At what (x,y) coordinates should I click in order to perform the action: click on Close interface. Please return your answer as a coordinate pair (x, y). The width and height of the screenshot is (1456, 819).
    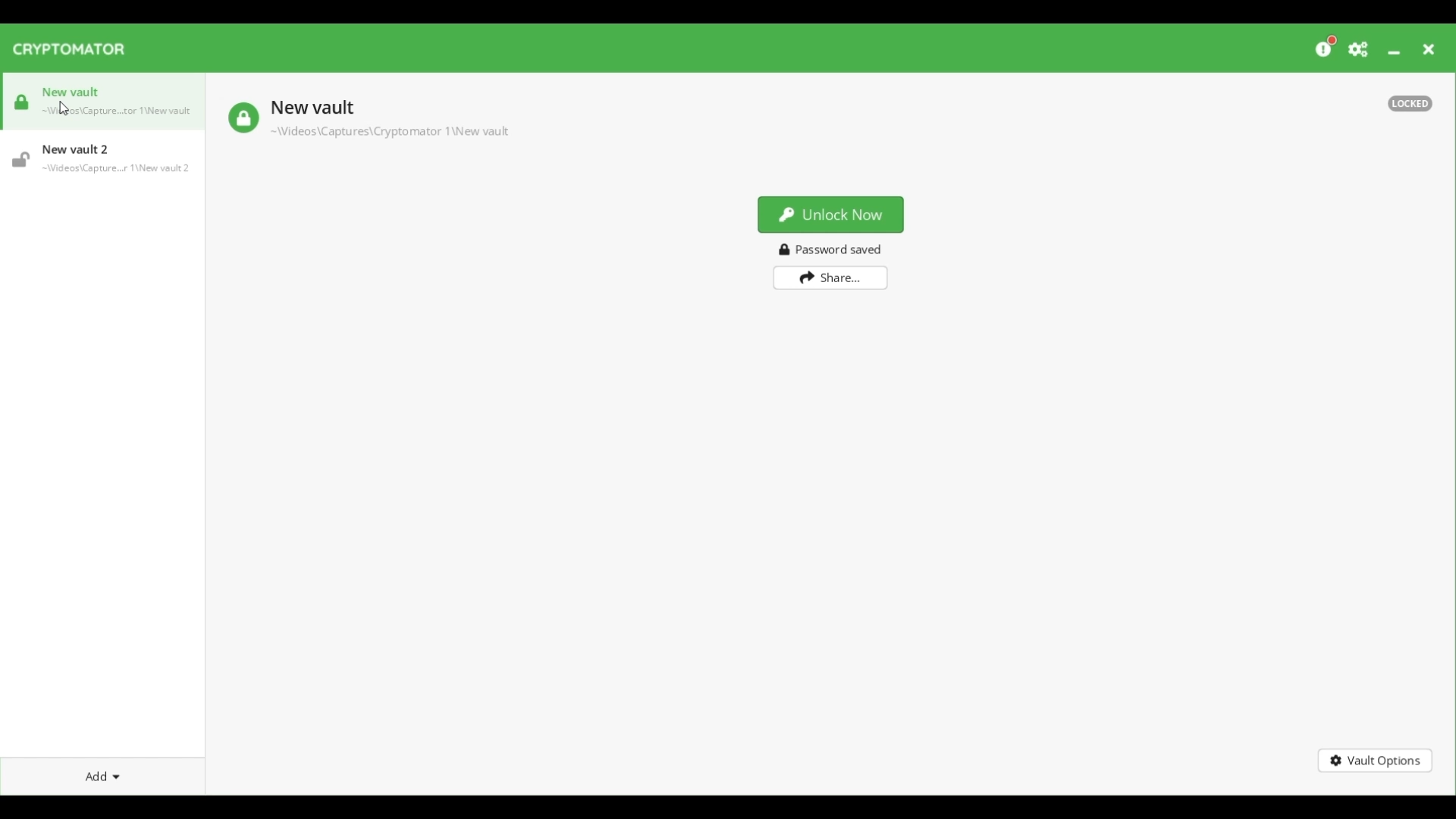
    Looking at the image, I should click on (1429, 49).